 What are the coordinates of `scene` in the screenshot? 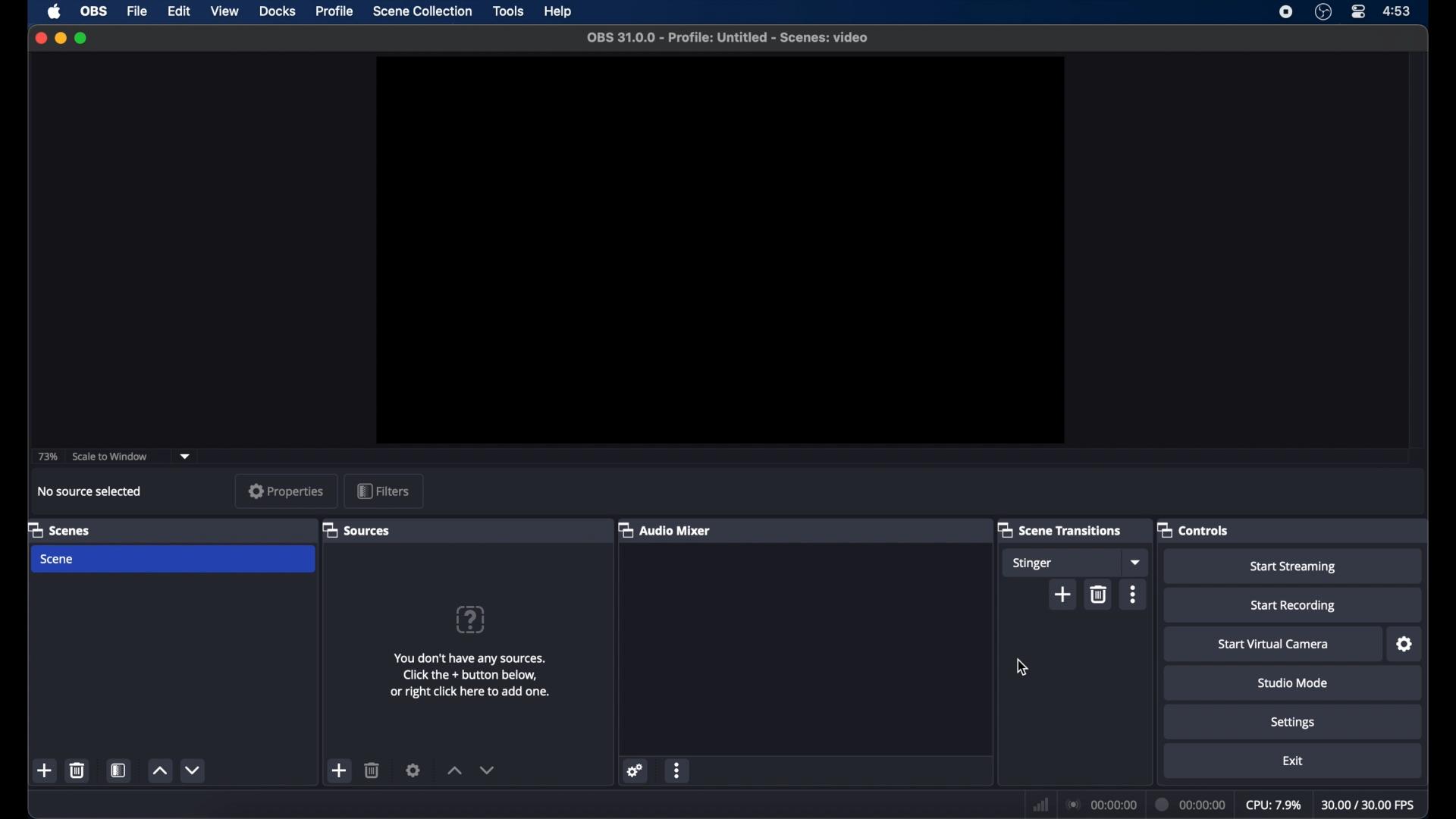 It's located at (58, 560).